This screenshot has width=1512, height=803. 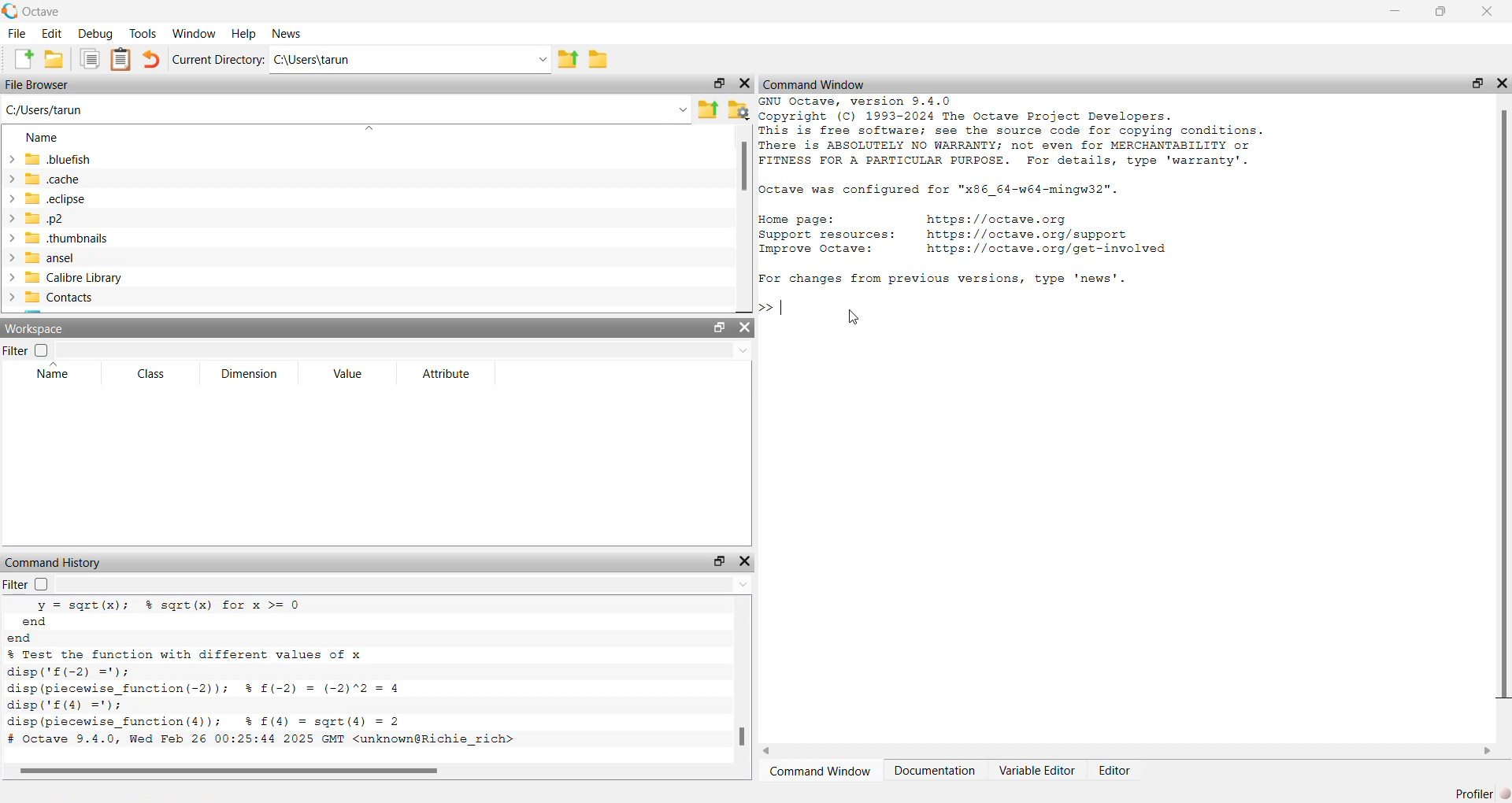 What do you see at coordinates (54, 160) in the screenshot?
I see `>.bluefish` at bounding box center [54, 160].